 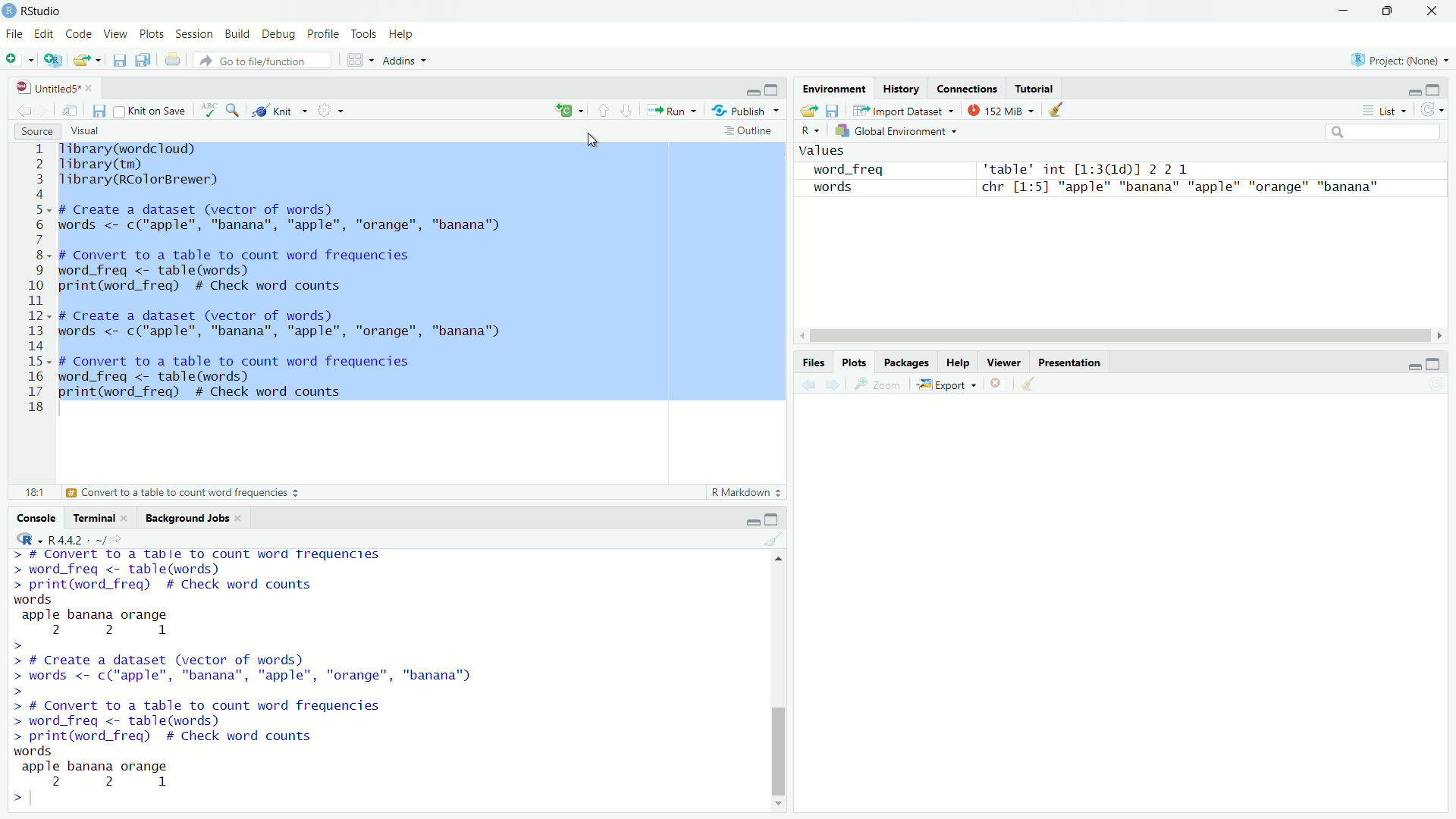 I want to click on Go to previous Section/chunk, so click(x=605, y=112).